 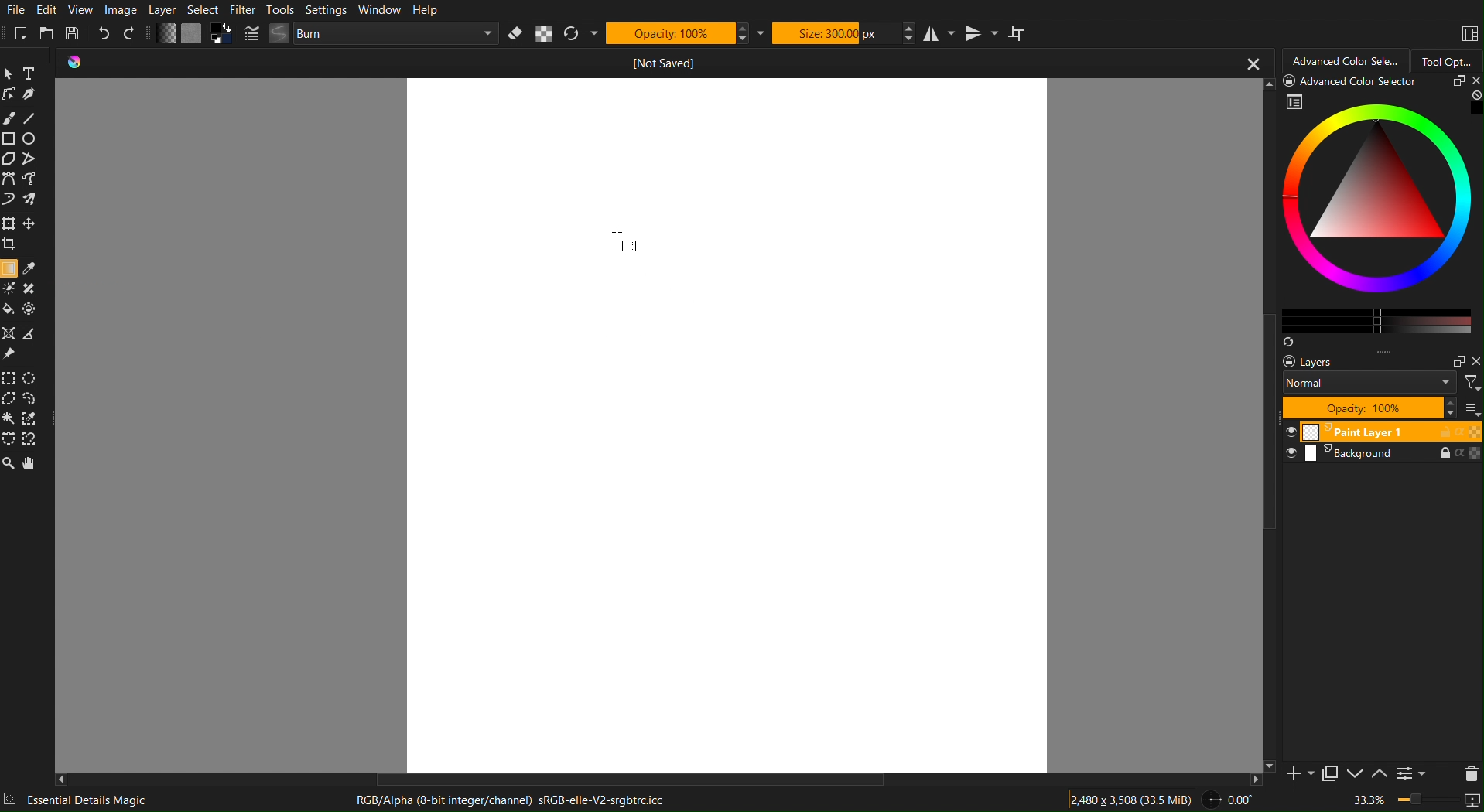 I want to click on Horizontal Mirror, so click(x=939, y=32).